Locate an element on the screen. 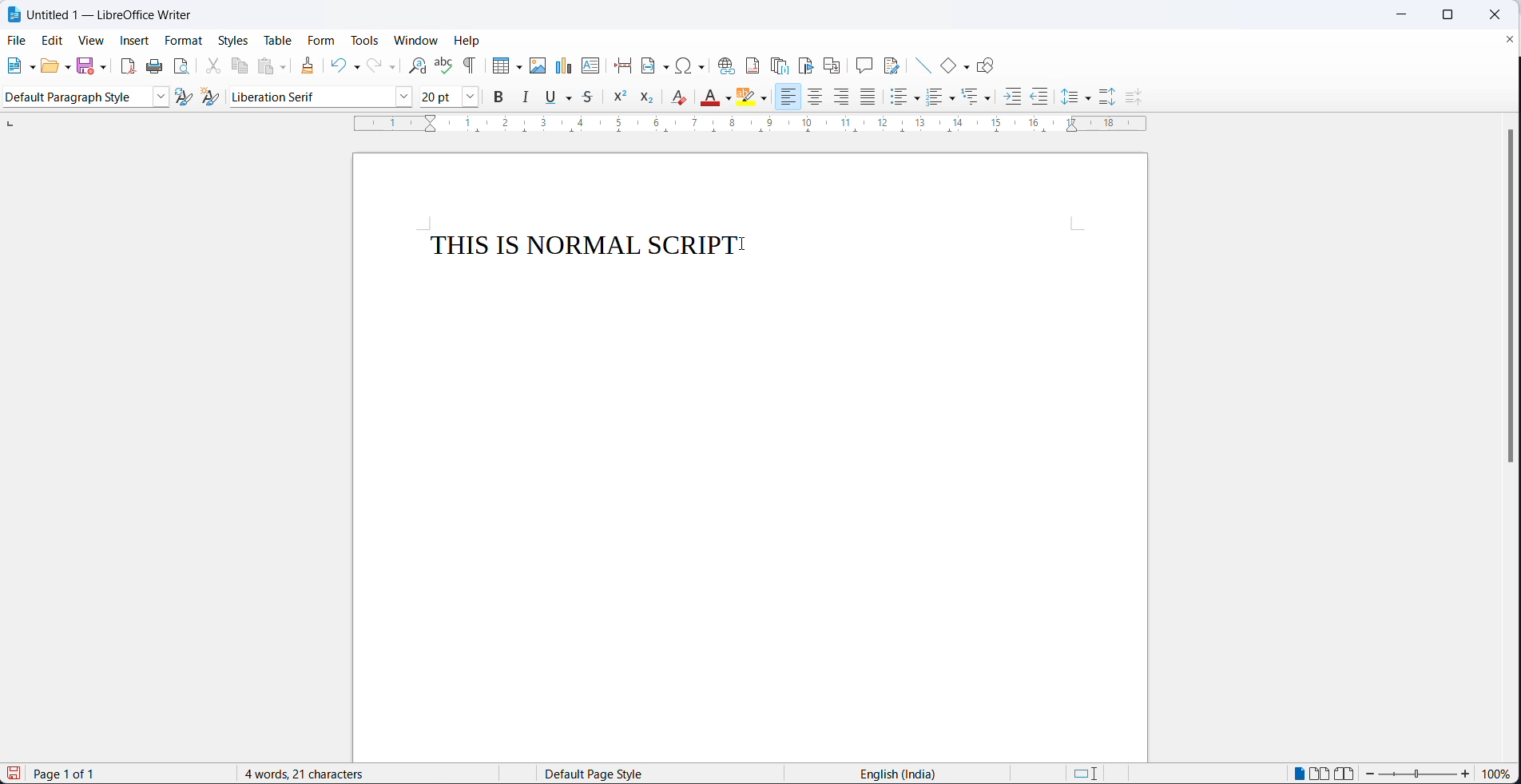  basic shapes is located at coordinates (942, 63).